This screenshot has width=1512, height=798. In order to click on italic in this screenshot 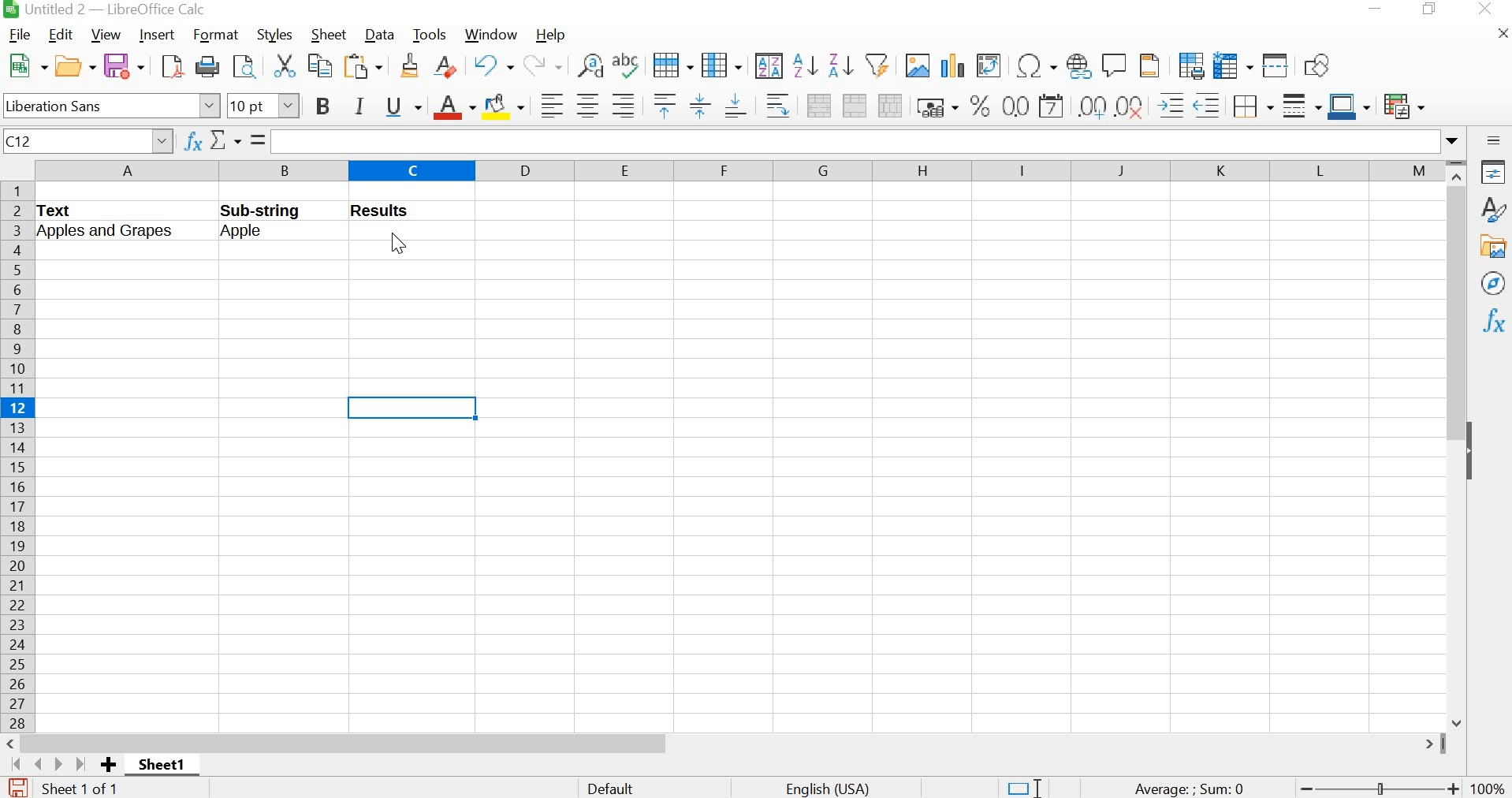, I will do `click(358, 105)`.